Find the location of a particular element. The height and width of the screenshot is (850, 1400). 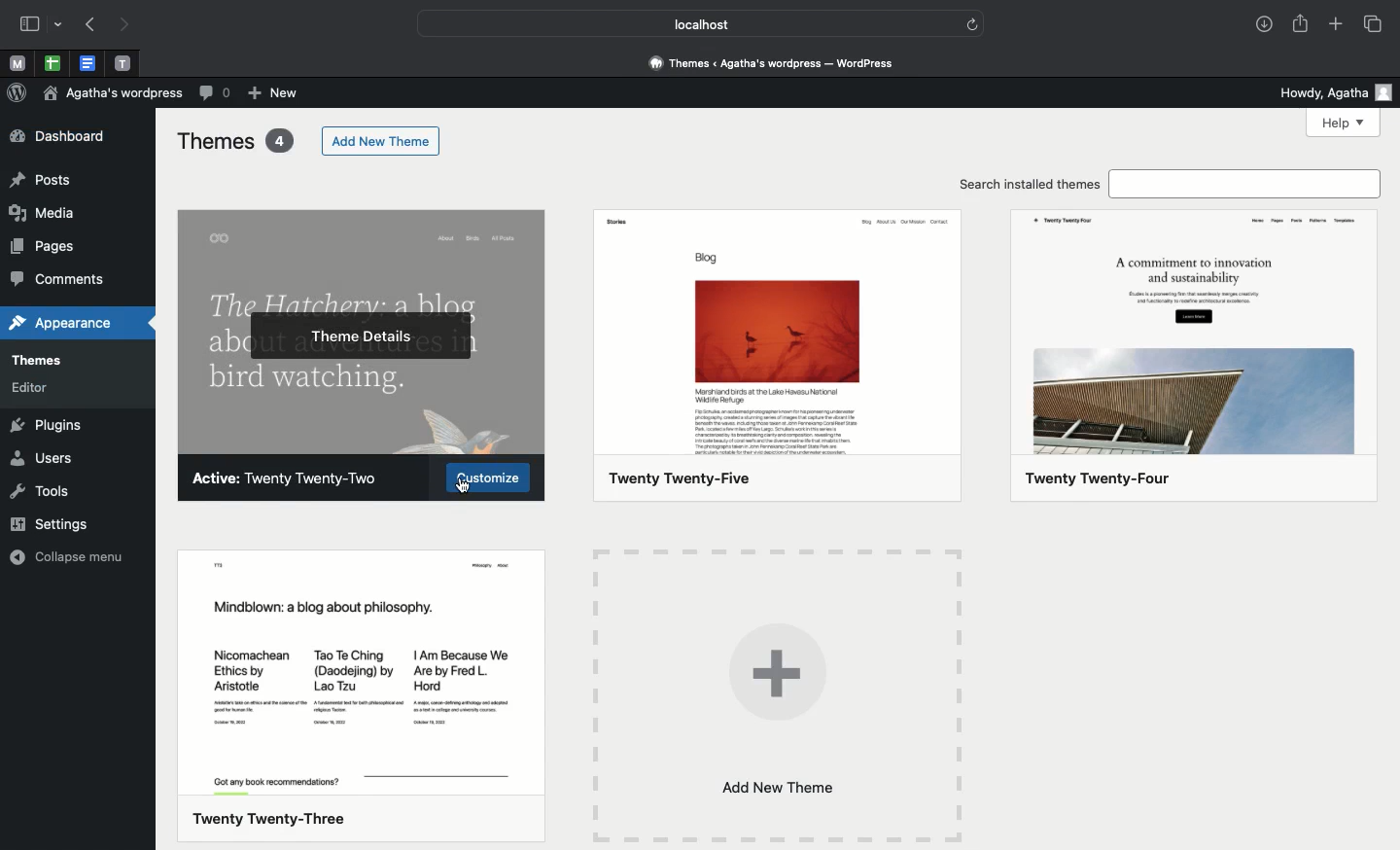

Previous page is located at coordinates (88, 26).